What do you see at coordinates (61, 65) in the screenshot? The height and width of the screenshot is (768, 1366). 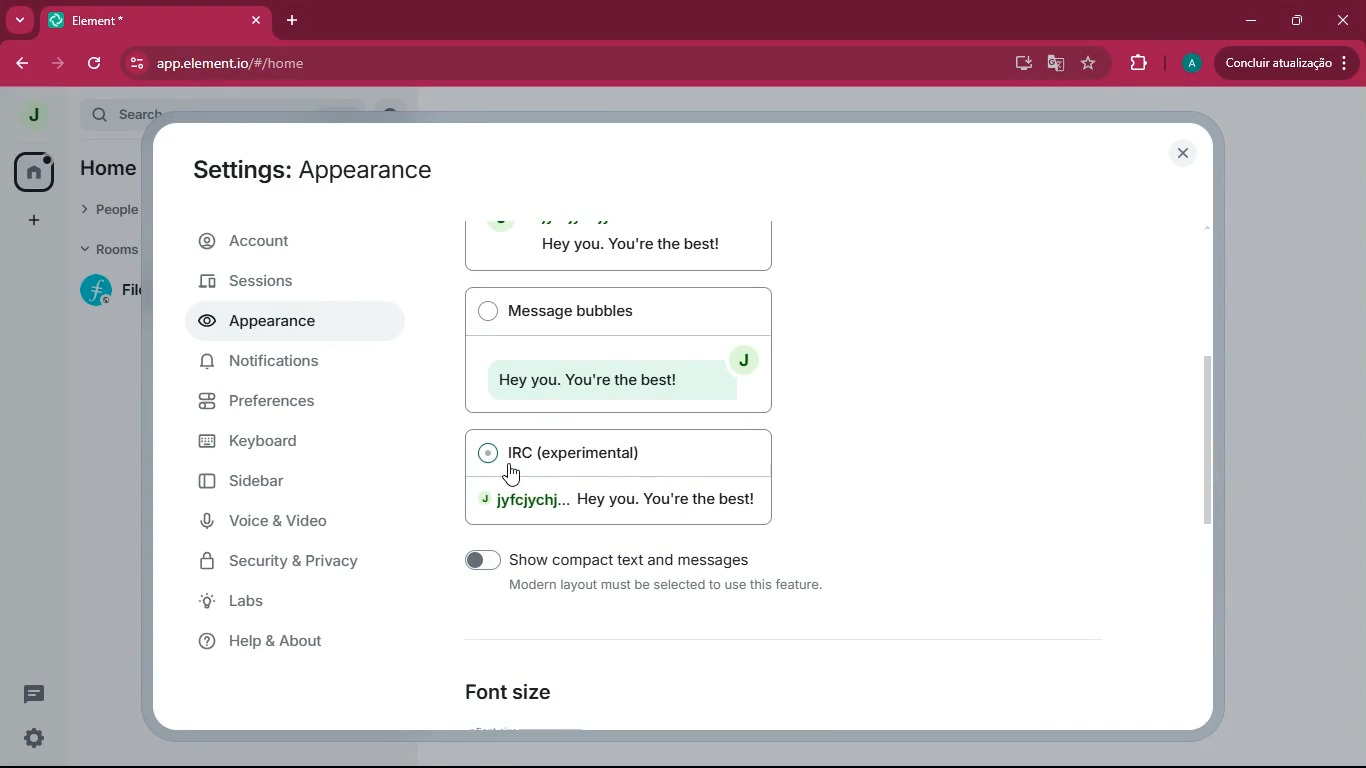 I see `forward` at bounding box center [61, 65].